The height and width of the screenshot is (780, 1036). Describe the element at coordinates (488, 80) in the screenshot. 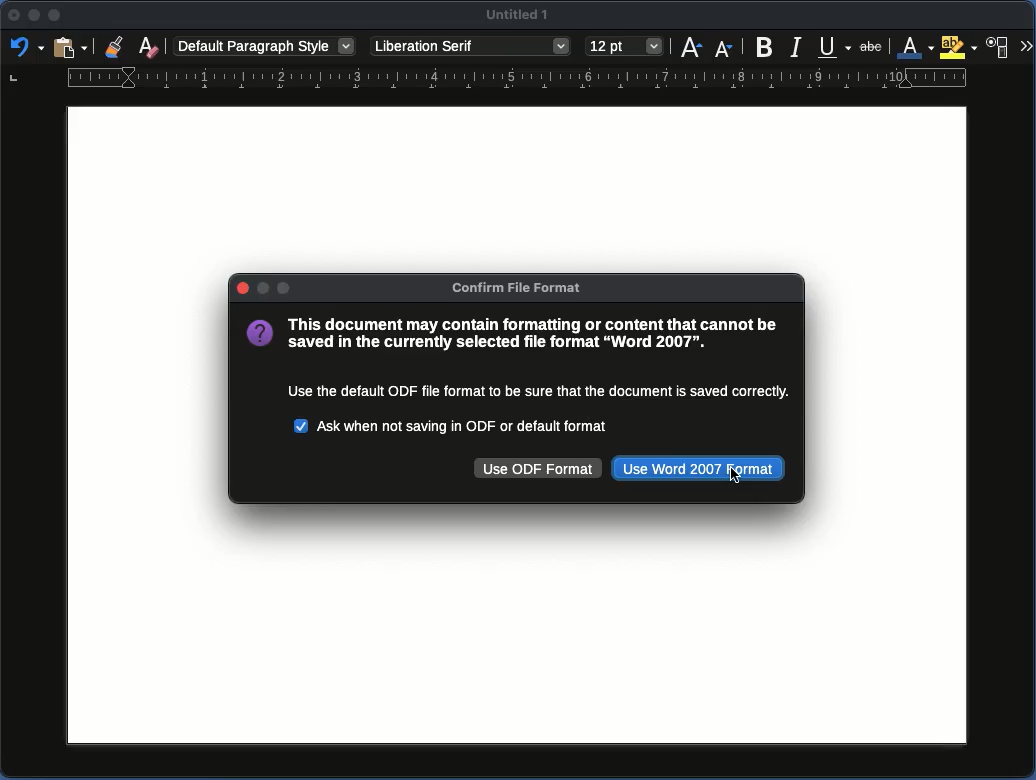

I see `Ruler` at that location.